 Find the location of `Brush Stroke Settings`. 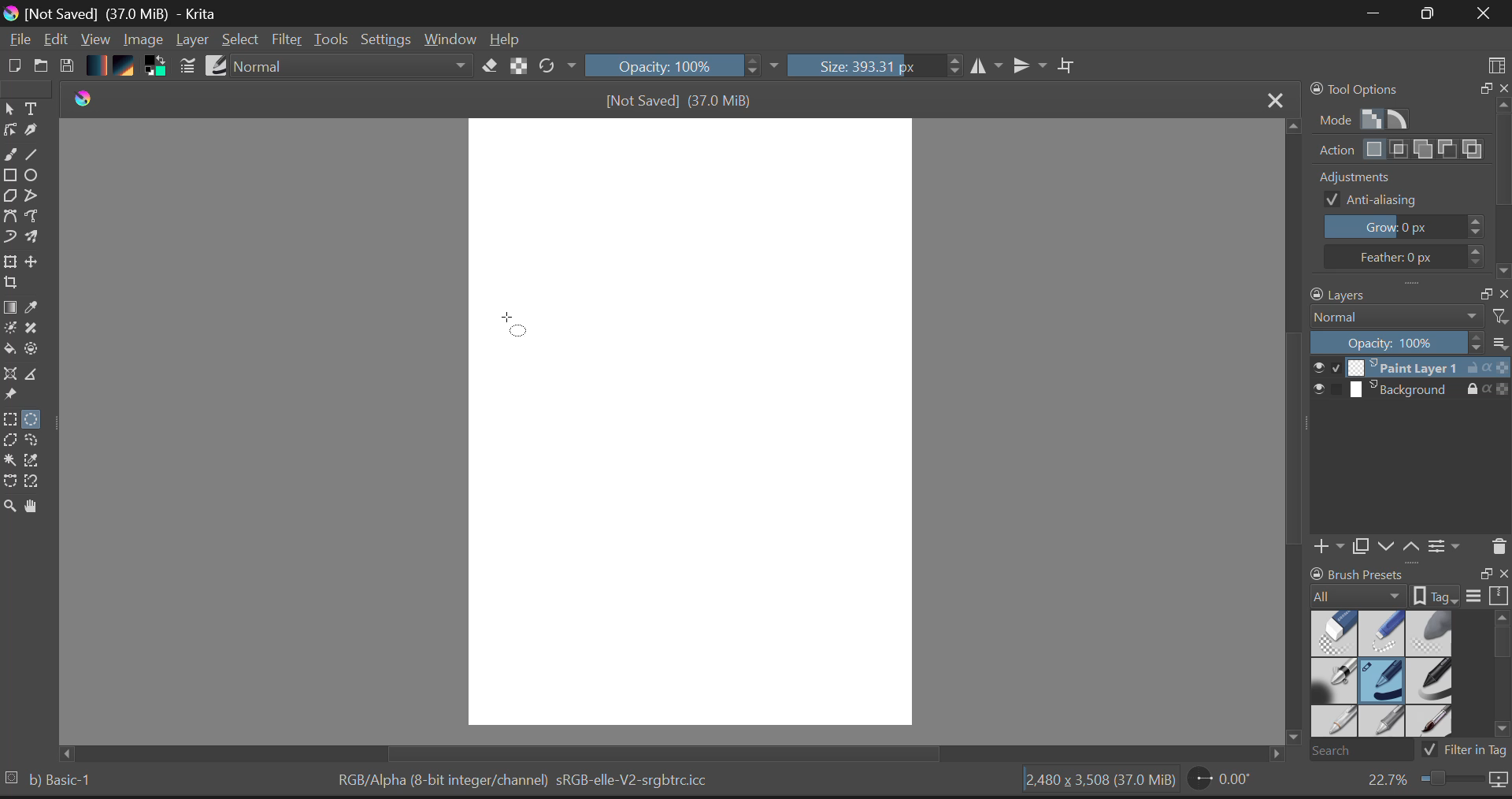

Brush Stroke Settings is located at coordinates (186, 66).